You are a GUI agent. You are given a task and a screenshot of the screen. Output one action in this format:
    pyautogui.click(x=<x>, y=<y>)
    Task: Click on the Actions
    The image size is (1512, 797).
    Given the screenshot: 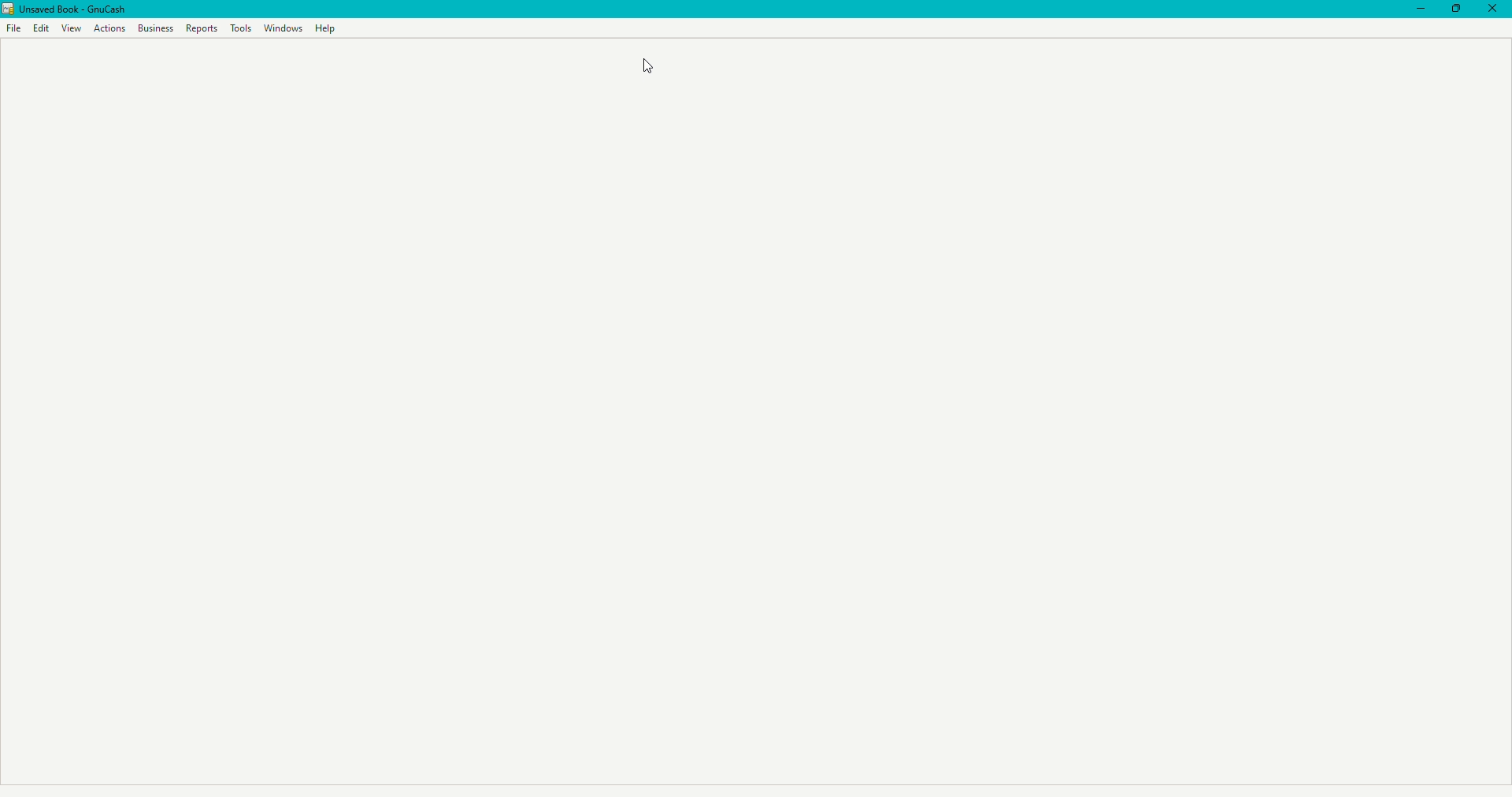 What is the action you would take?
    pyautogui.click(x=109, y=28)
    